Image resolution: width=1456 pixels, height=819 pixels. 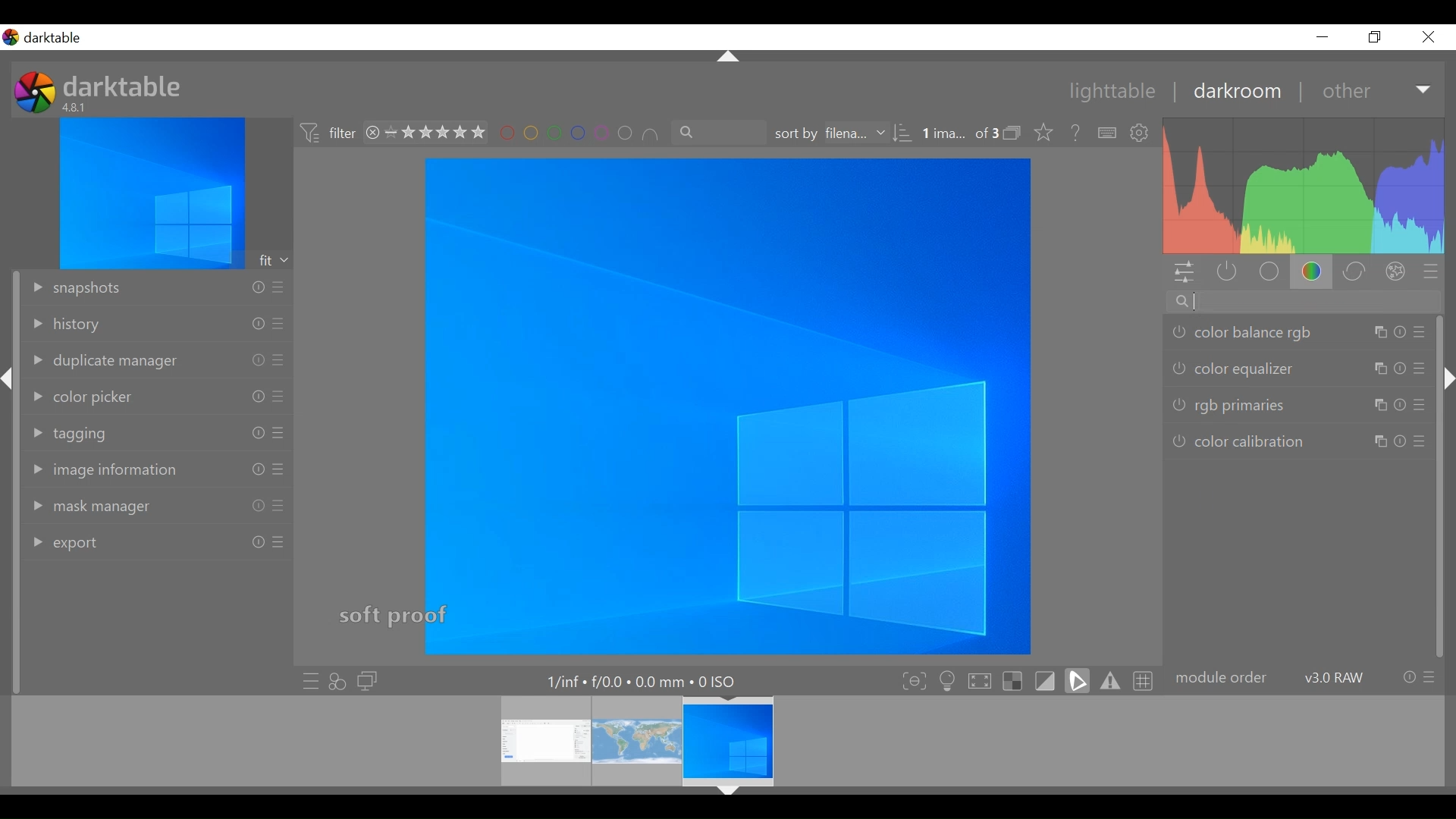 I want to click on info, so click(x=257, y=396).